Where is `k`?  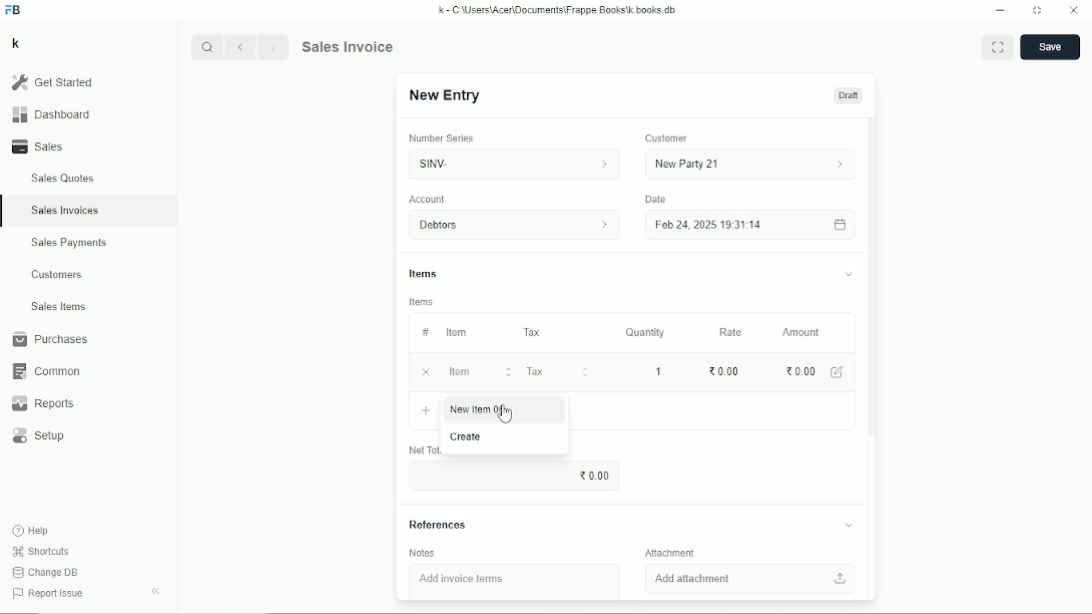 k is located at coordinates (15, 43).